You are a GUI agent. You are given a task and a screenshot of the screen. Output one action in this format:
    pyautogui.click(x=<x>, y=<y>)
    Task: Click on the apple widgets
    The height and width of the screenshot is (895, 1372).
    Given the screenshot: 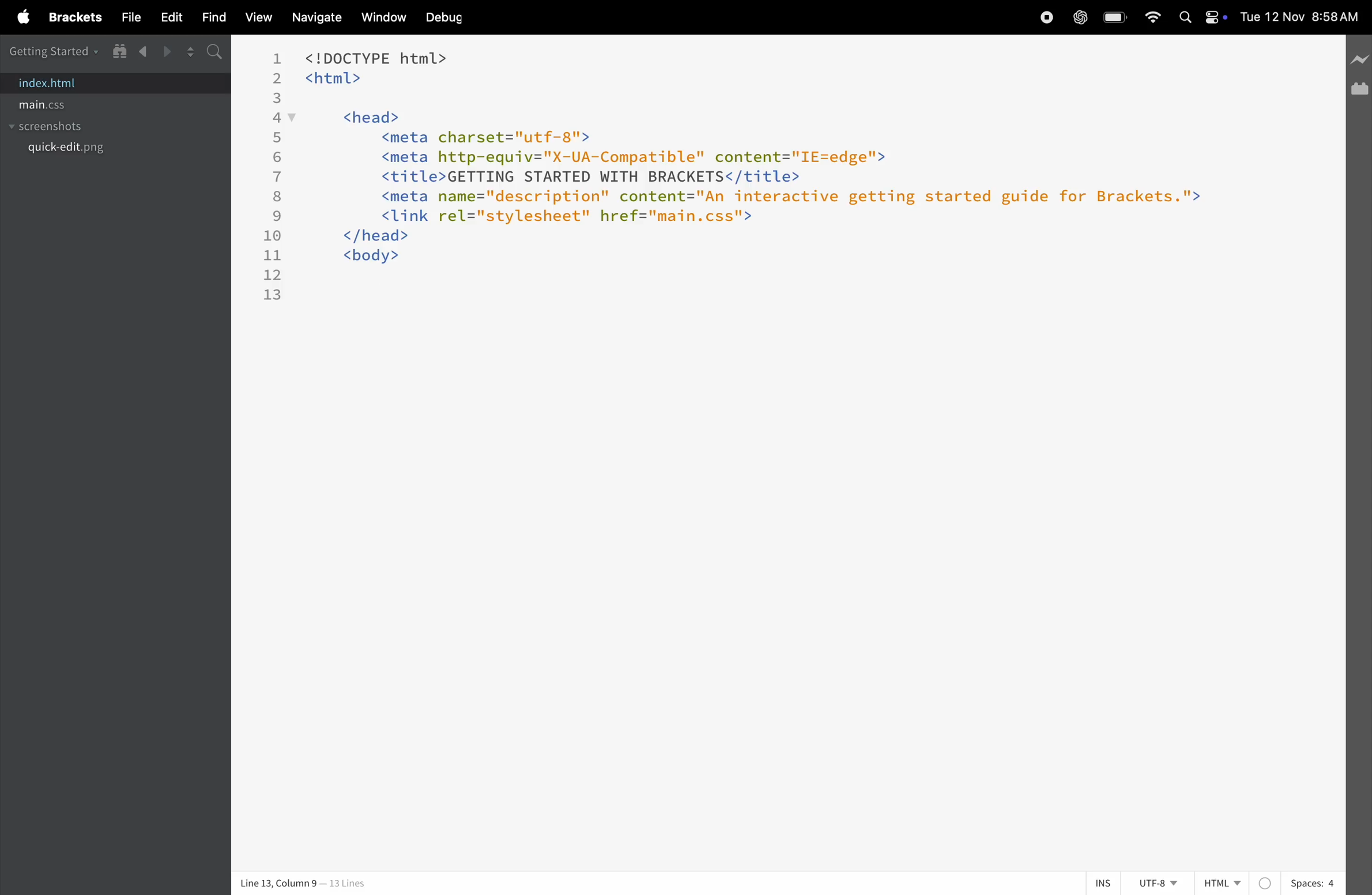 What is the action you would take?
    pyautogui.click(x=1203, y=16)
    